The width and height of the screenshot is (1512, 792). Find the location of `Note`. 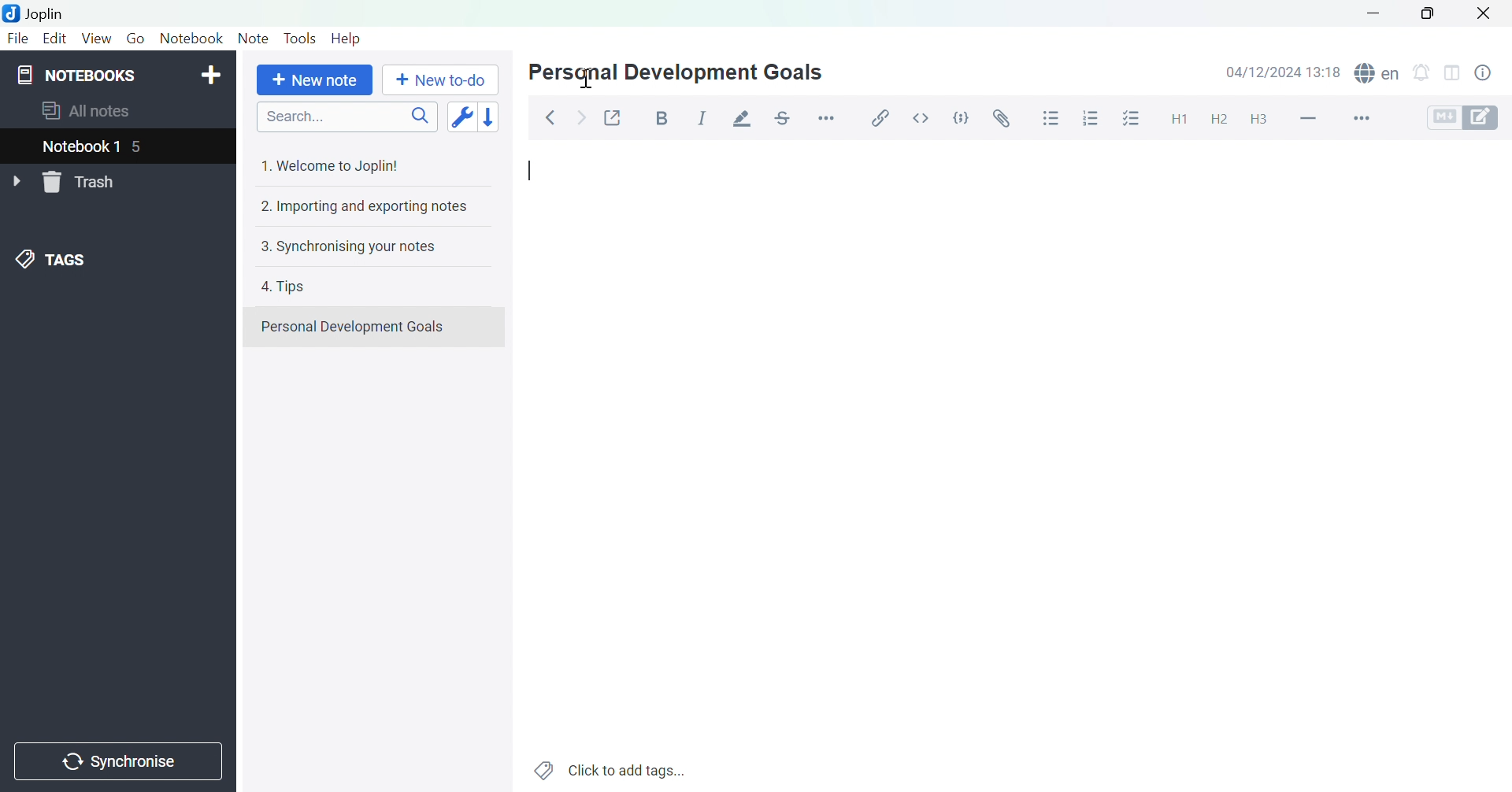

Note is located at coordinates (252, 39).